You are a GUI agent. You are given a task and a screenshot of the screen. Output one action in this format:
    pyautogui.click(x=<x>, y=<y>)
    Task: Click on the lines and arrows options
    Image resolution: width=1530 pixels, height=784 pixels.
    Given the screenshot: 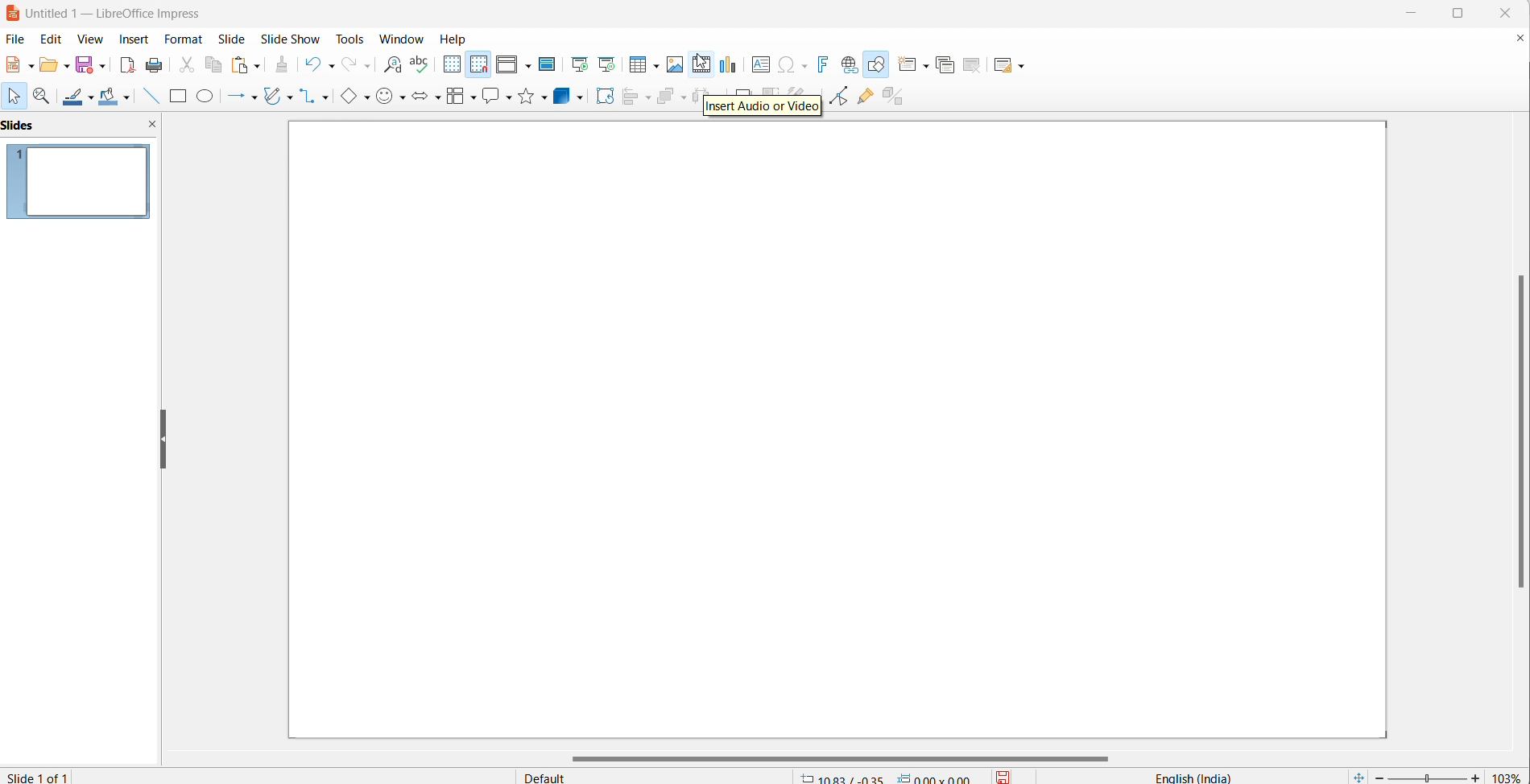 What is the action you would take?
    pyautogui.click(x=257, y=97)
    